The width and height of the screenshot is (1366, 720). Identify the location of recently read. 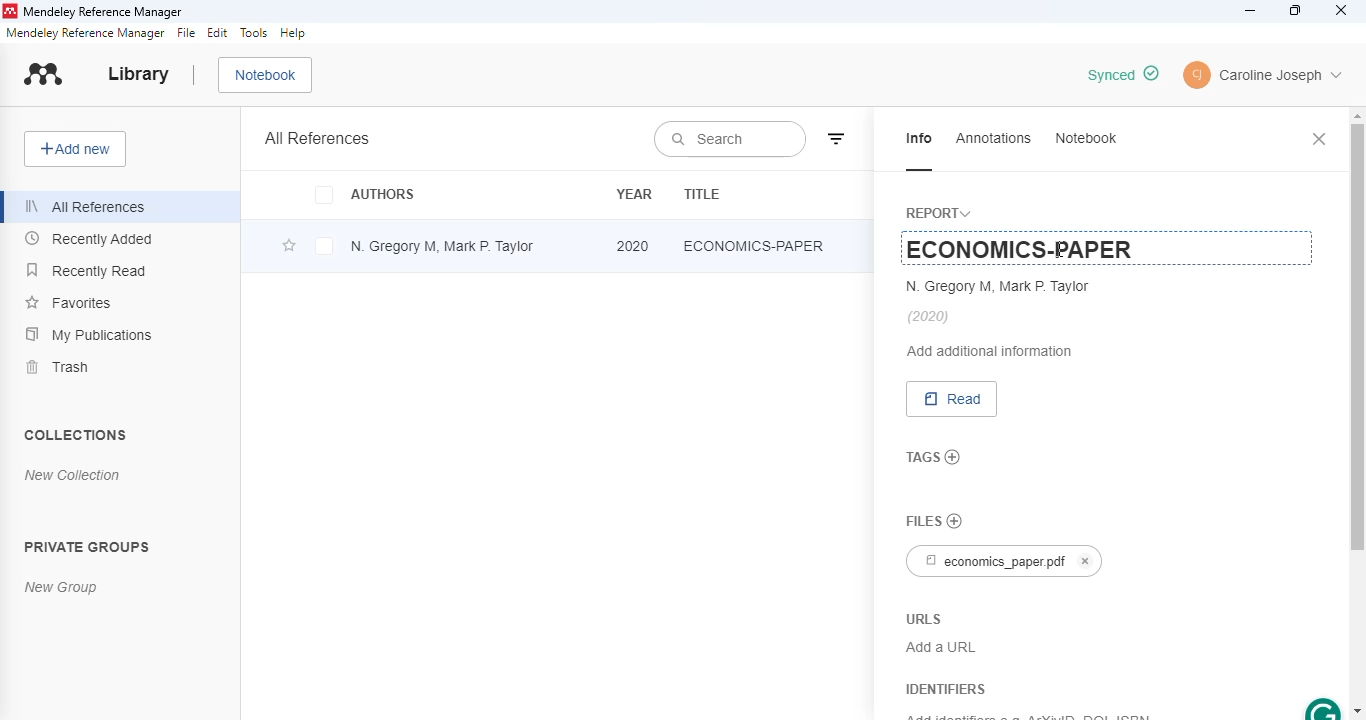
(86, 269).